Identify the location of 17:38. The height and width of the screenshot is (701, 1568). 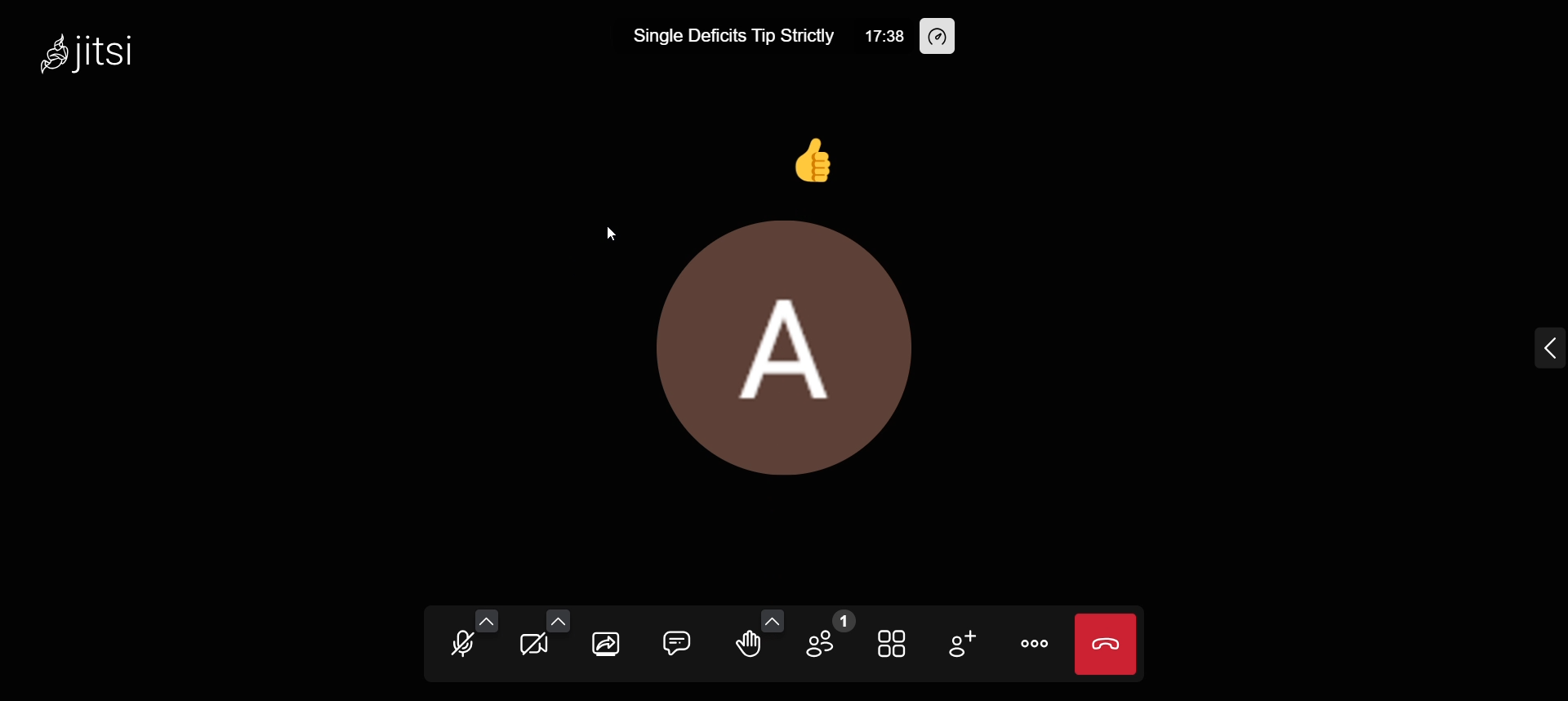
(883, 37).